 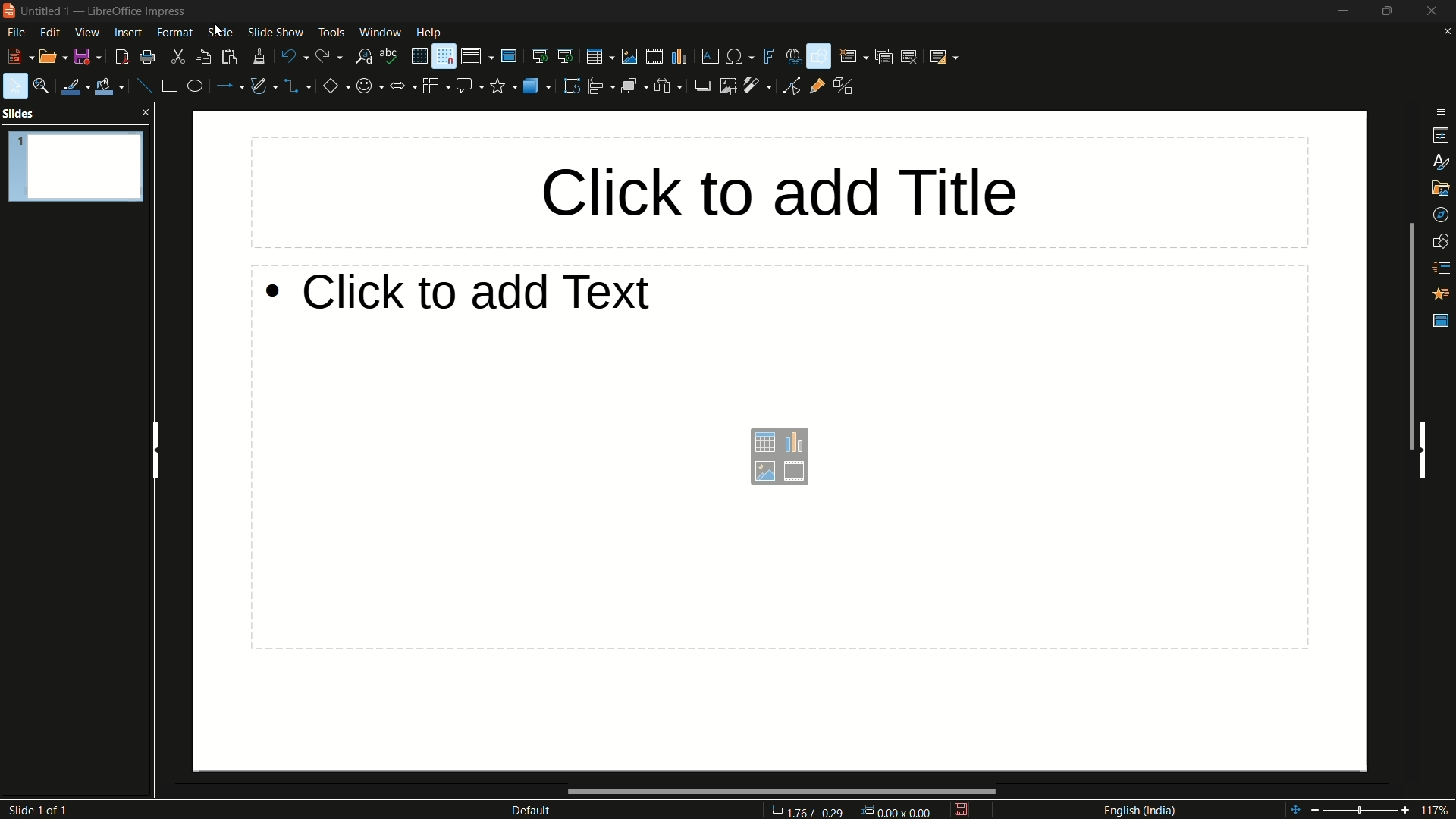 What do you see at coordinates (380, 33) in the screenshot?
I see `window menu` at bounding box center [380, 33].